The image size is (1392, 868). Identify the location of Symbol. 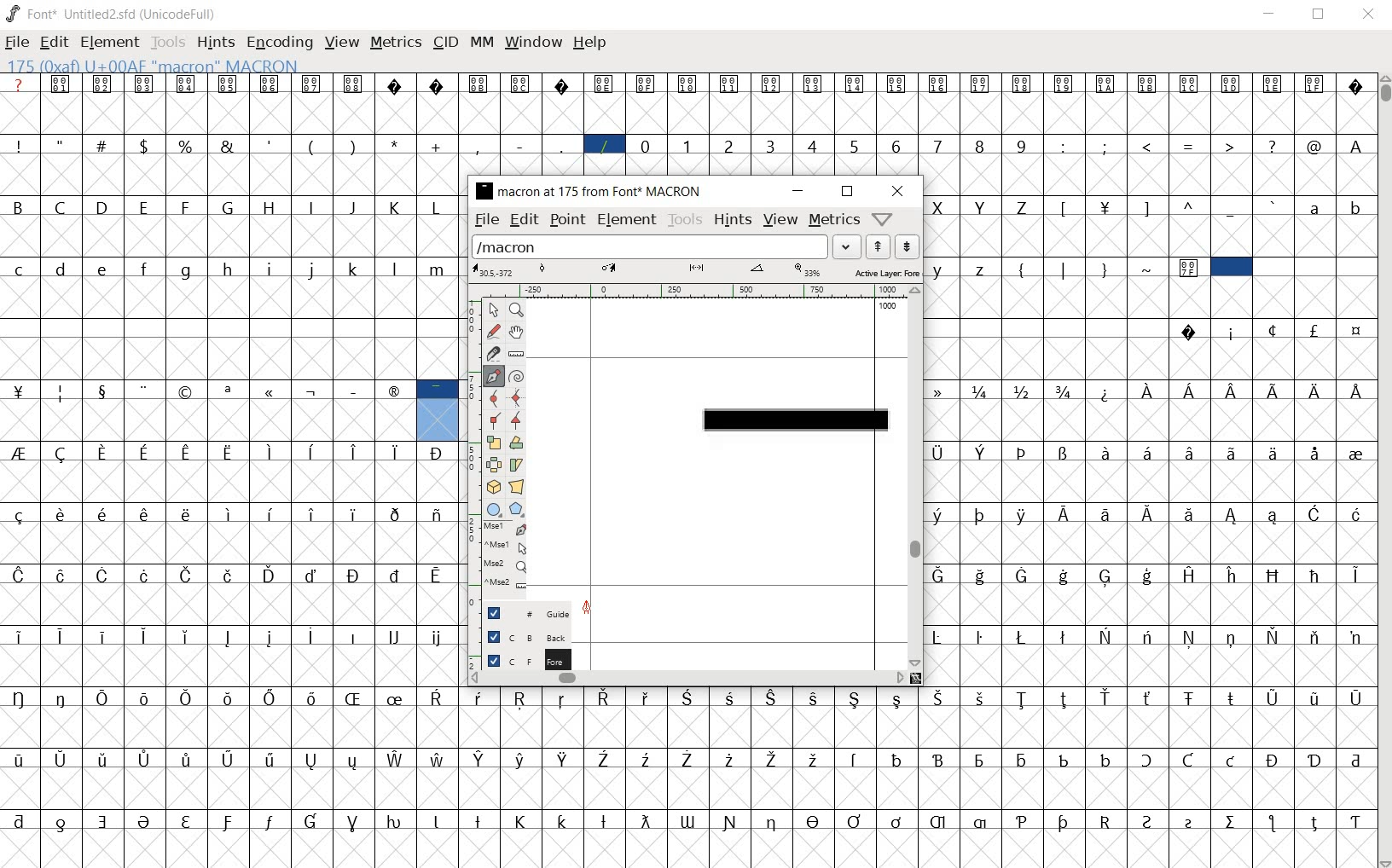
(353, 819).